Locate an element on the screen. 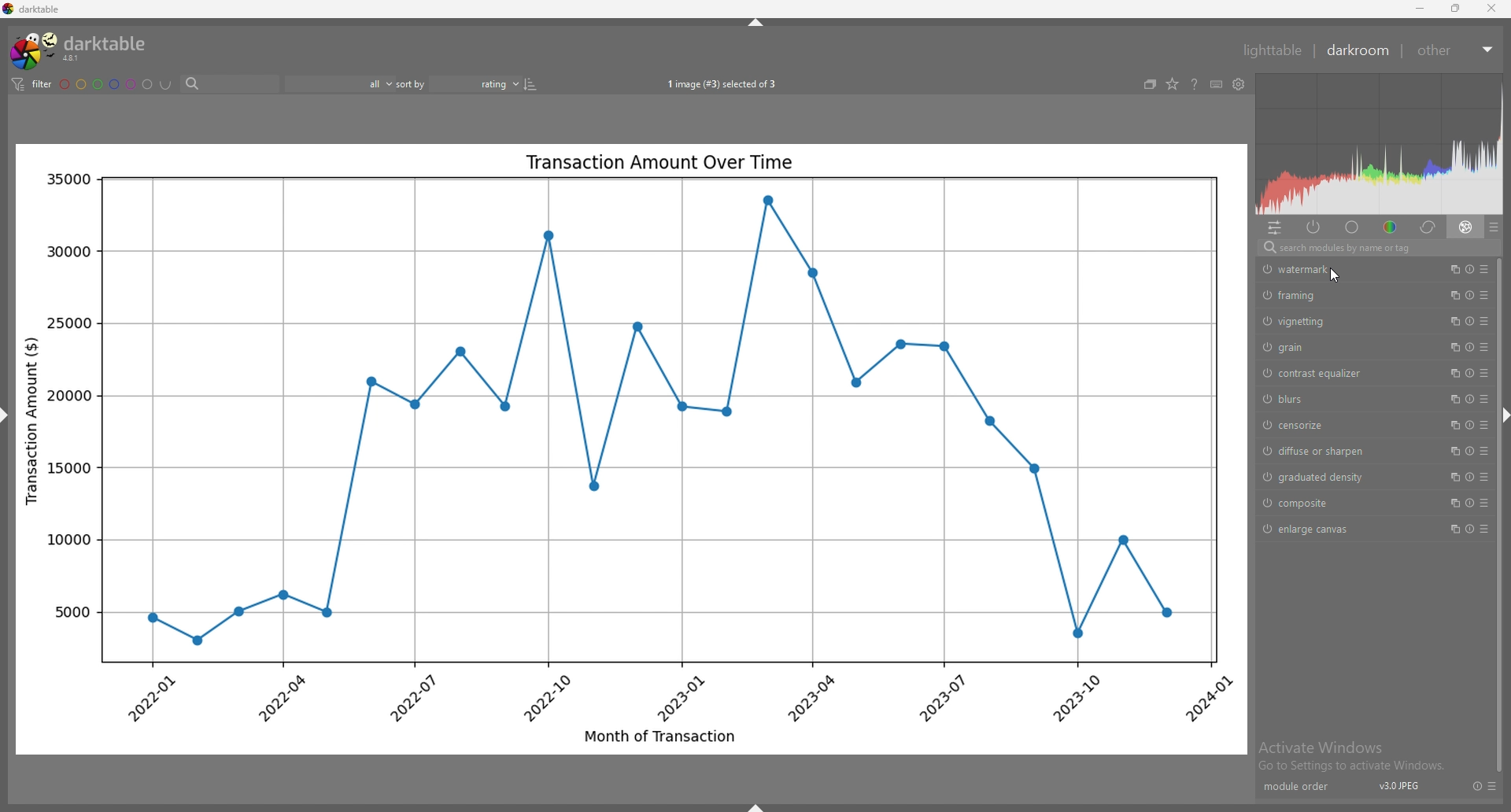 This screenshot has width=1511, height=812. multiple instances action is located at coordinates (1454, 399).